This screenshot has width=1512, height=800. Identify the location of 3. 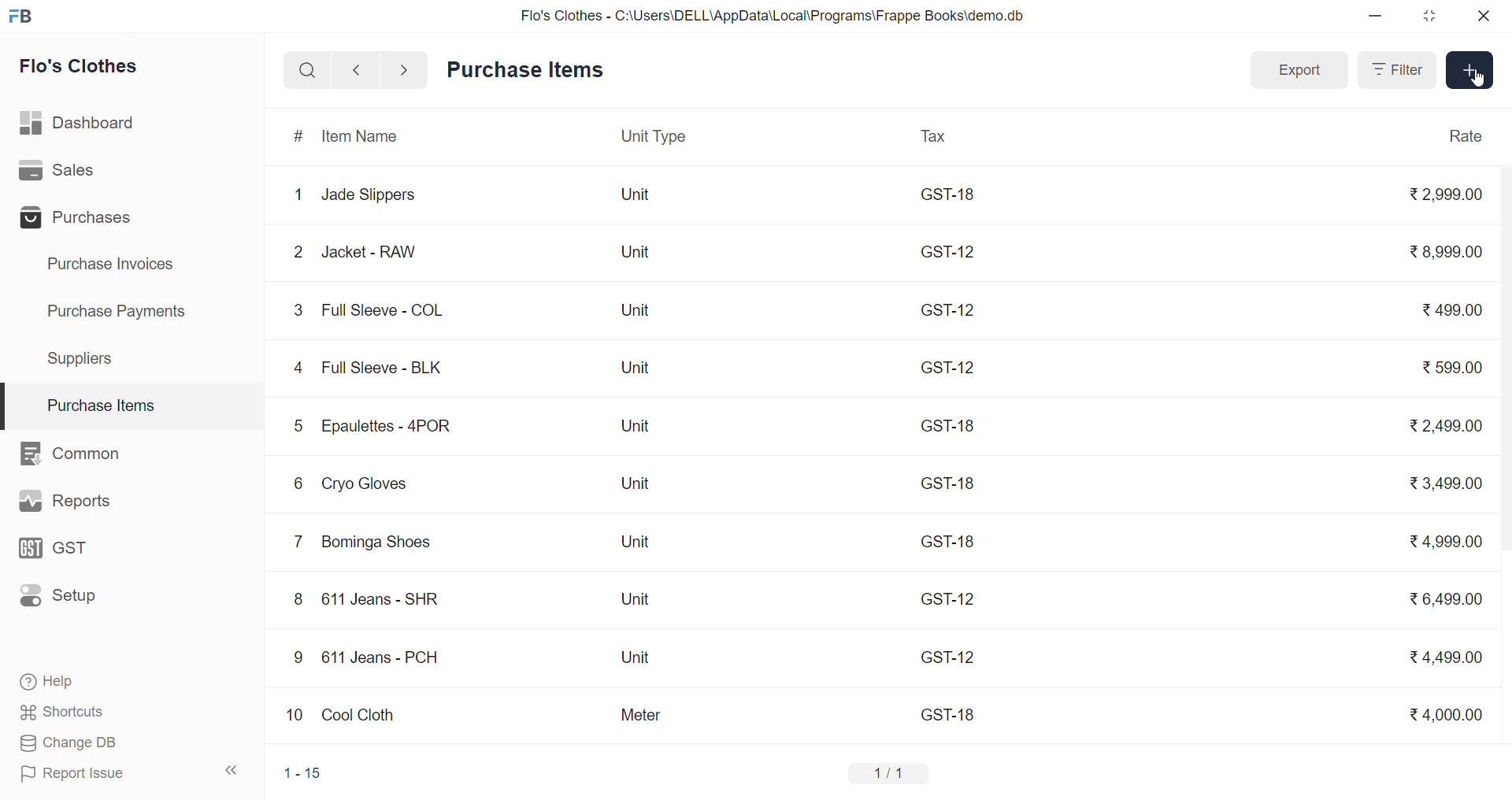
(299, 311).